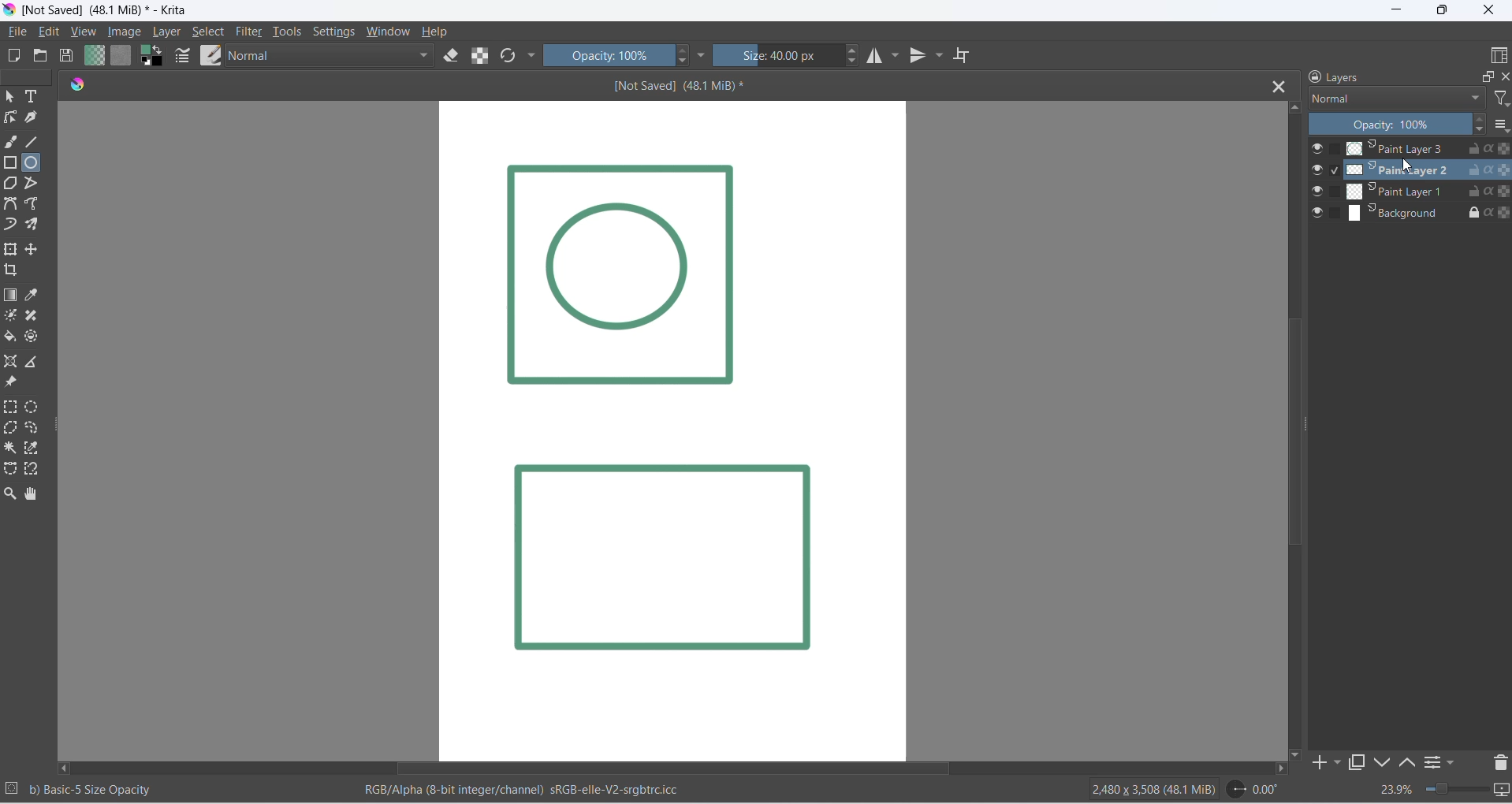 This screenshot has width=1512, height=804. What do you see at coordinates (58, 434) in the screenshot?
I see `resize` at bounding box center [58, 434].